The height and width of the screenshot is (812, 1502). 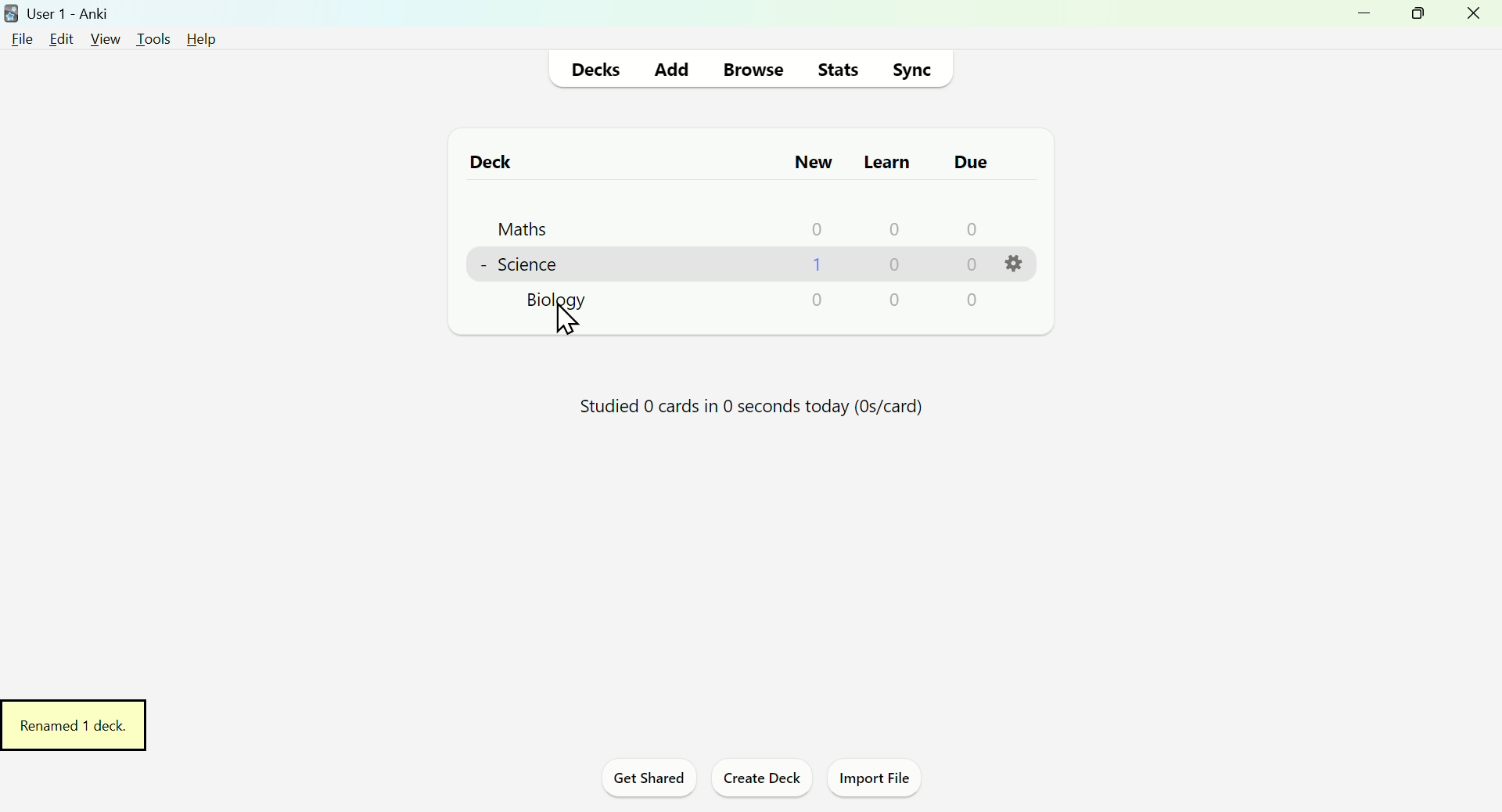 I want to click on Add, so click(x=672, y=66).